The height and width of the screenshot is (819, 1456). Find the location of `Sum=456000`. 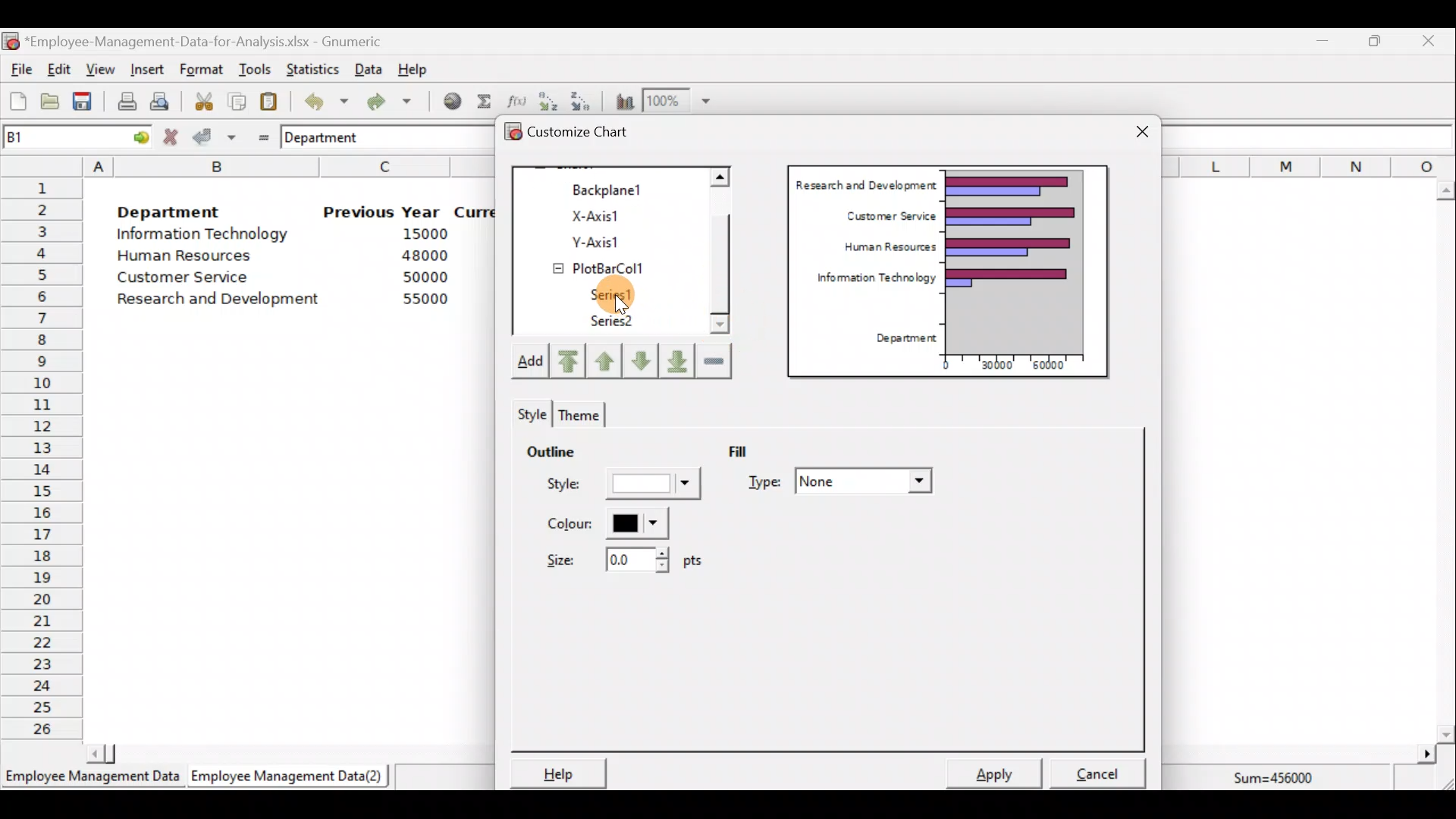

Sum=456000 is located at coordinates (1282, 780).